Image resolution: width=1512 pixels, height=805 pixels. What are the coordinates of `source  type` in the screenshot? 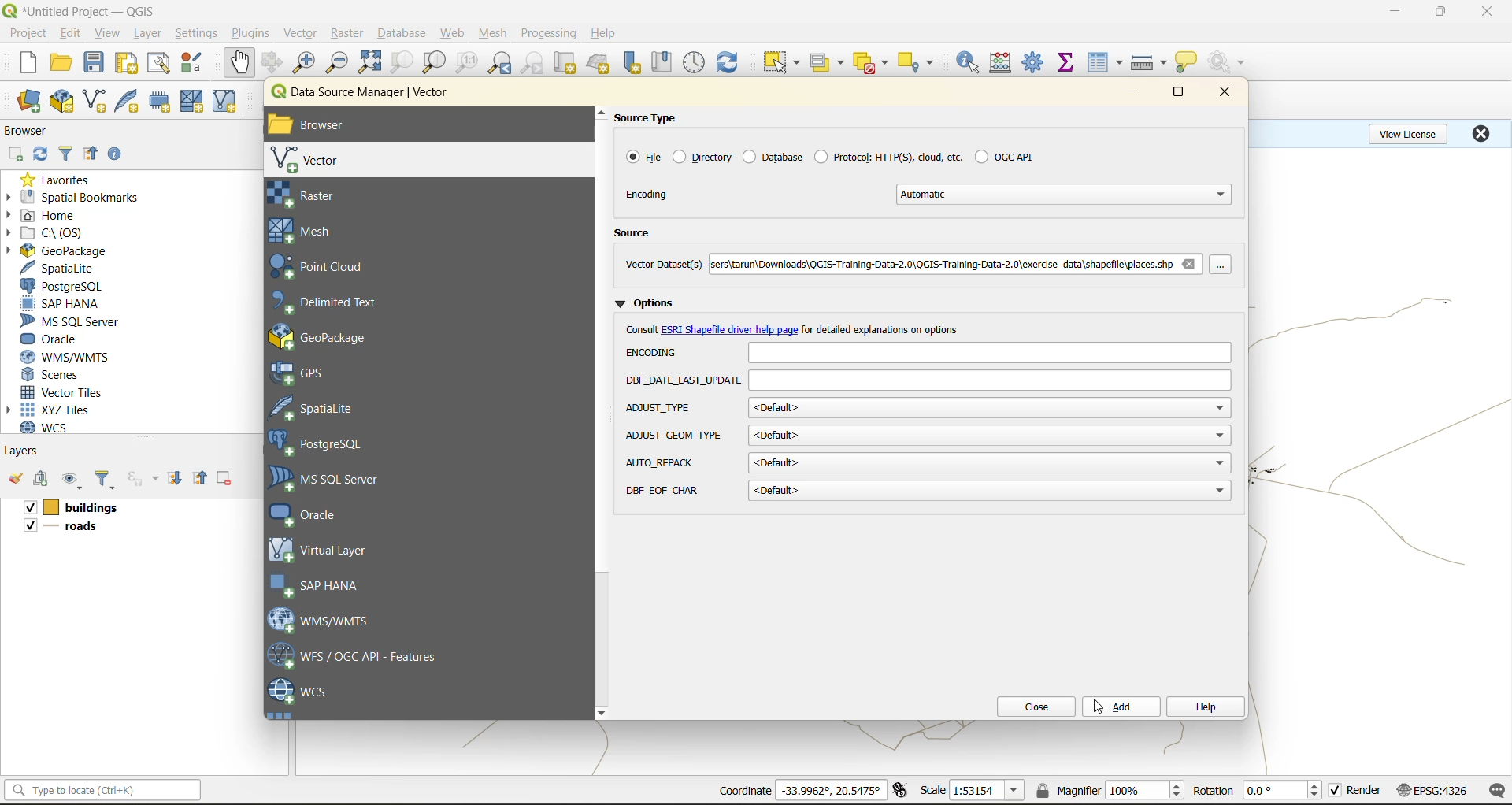 It's located at (654, 118).